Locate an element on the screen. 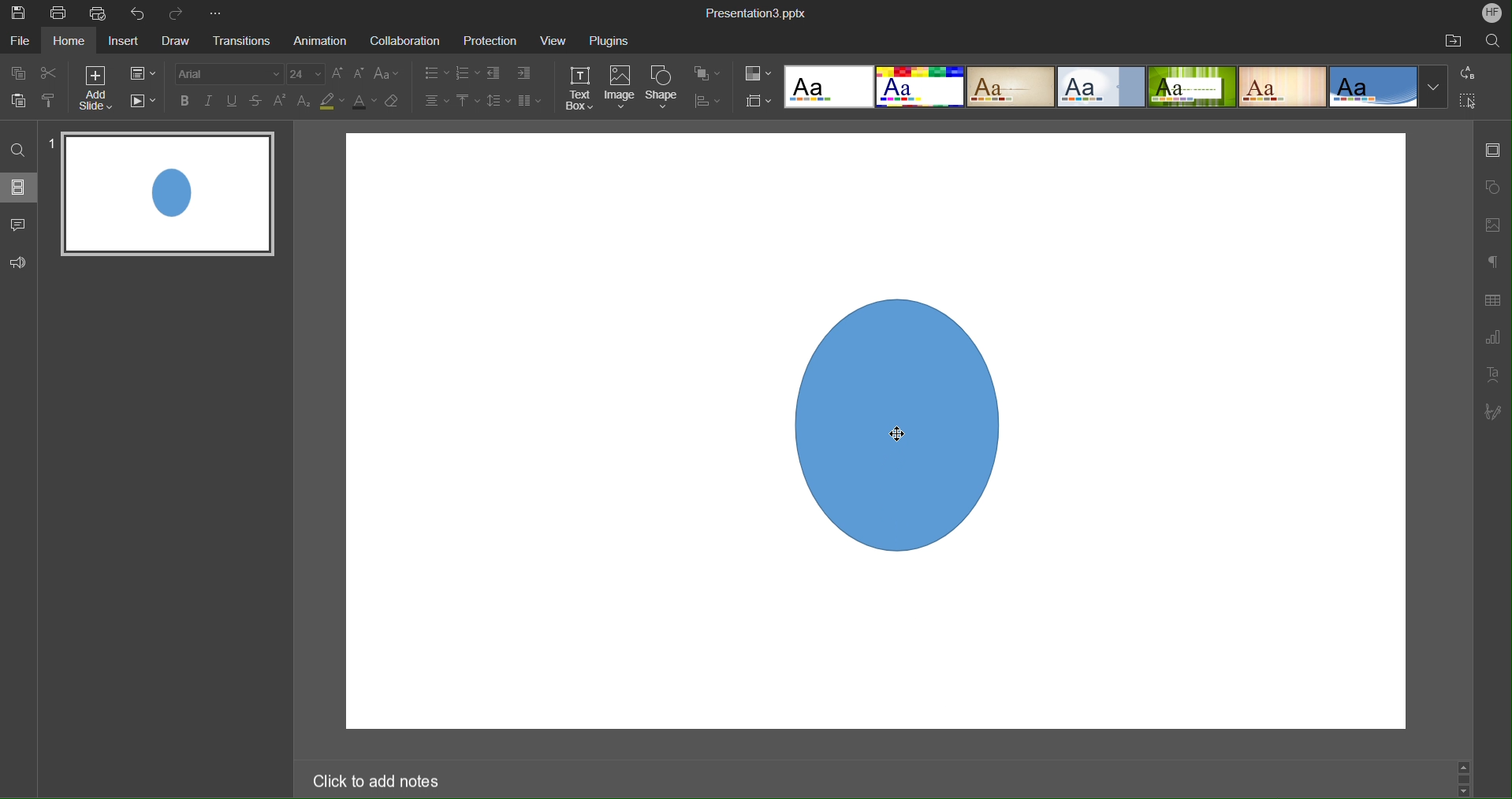 The width and height of the screenshot is (1512, 799). Undo is located at coordinates (138, 13).